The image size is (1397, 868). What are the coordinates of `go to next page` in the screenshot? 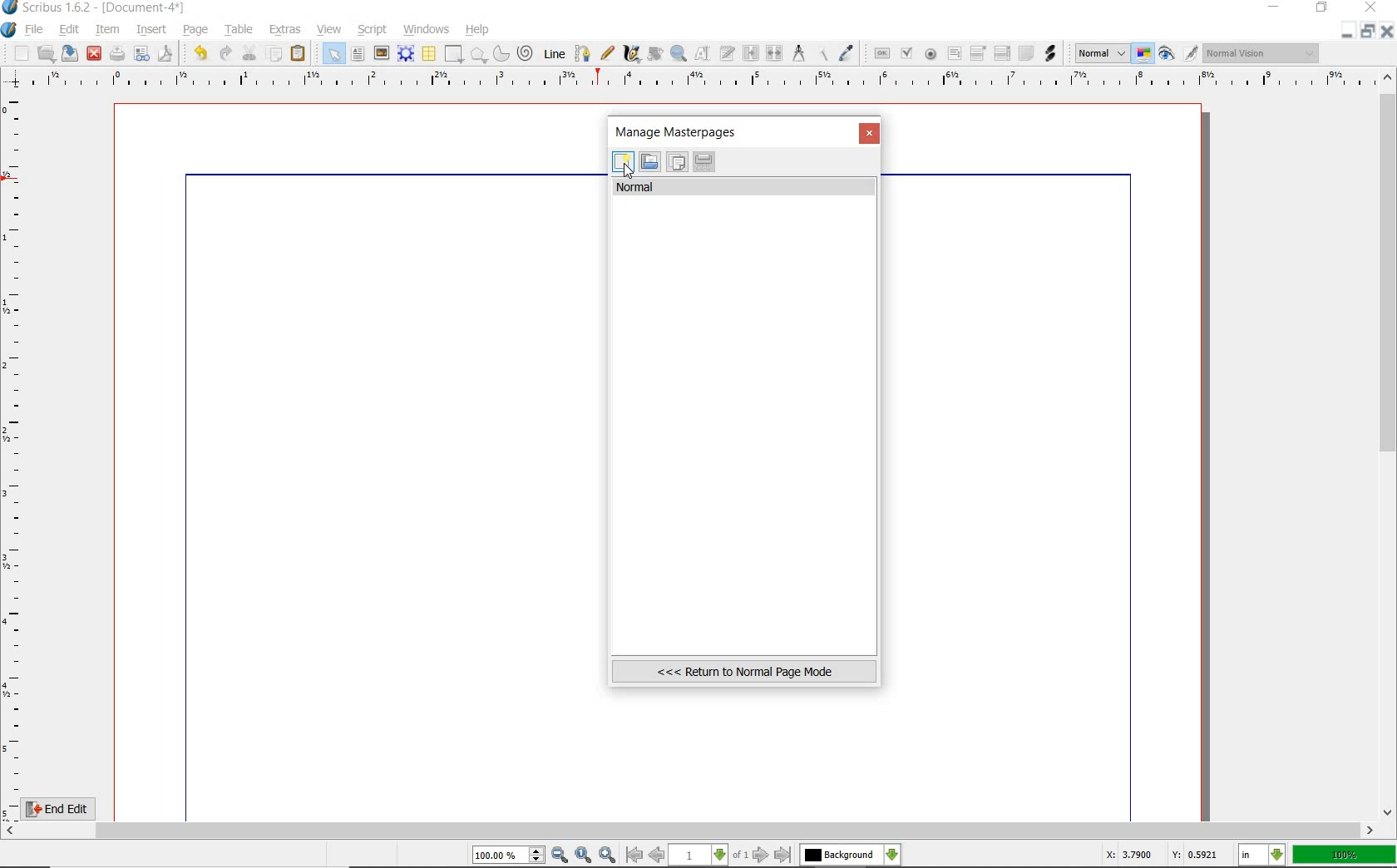 It's located at (763, 855).